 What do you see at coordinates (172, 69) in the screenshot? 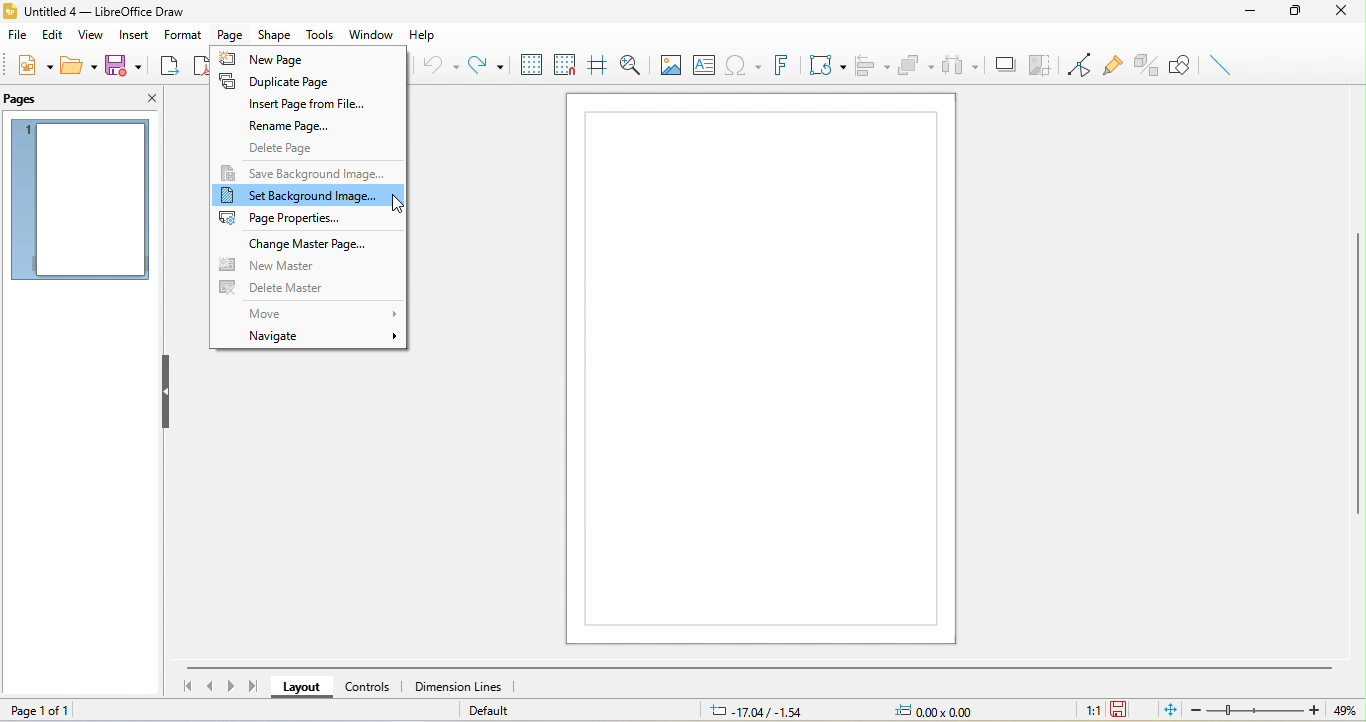
I see `export` at bounding box center [172, 69].